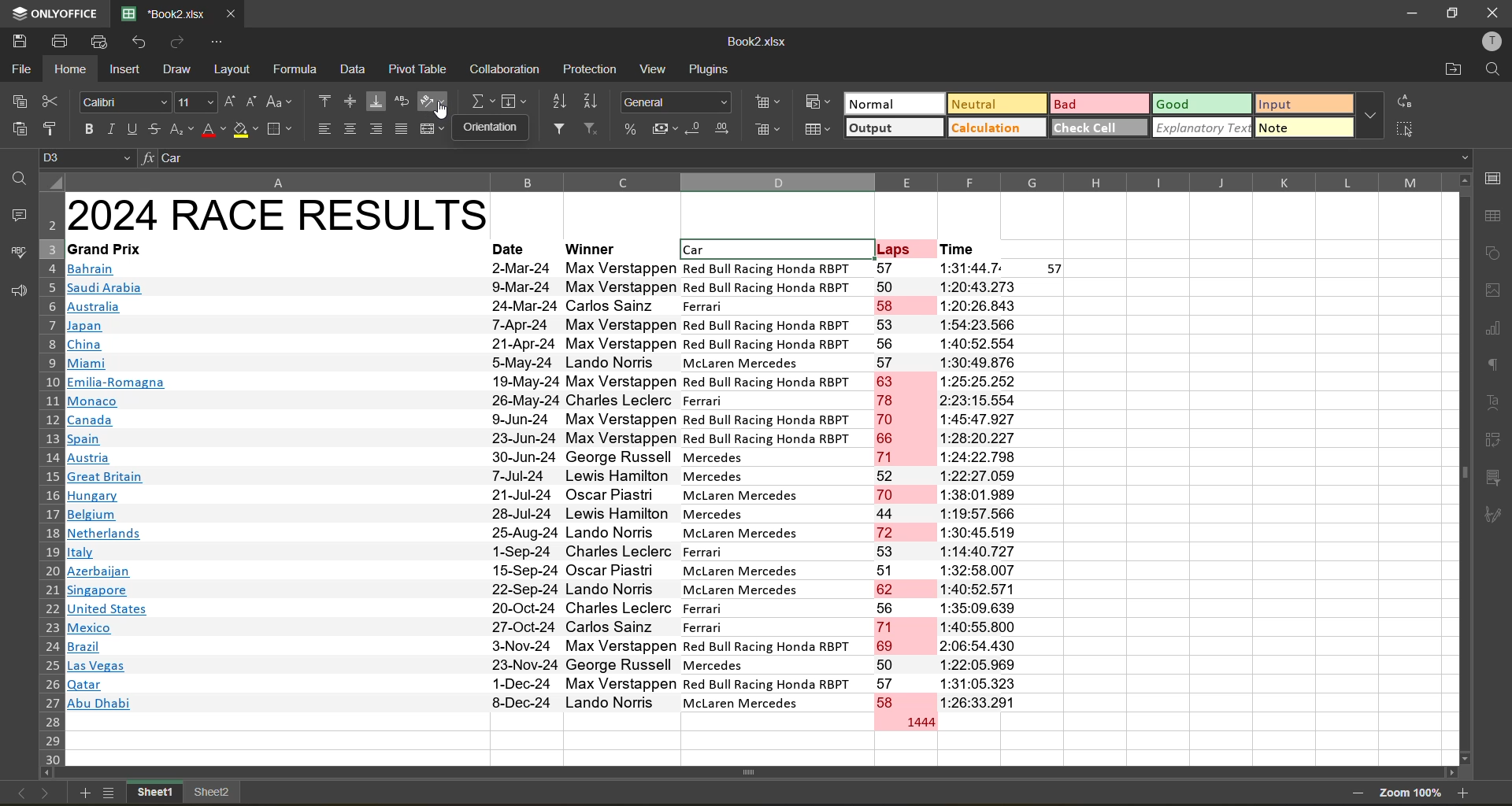 The width and height of the screenshot is (1512, 806). Describe the element at coordinates (120, 488) in the screenshot. I see `Countires name` at that location.